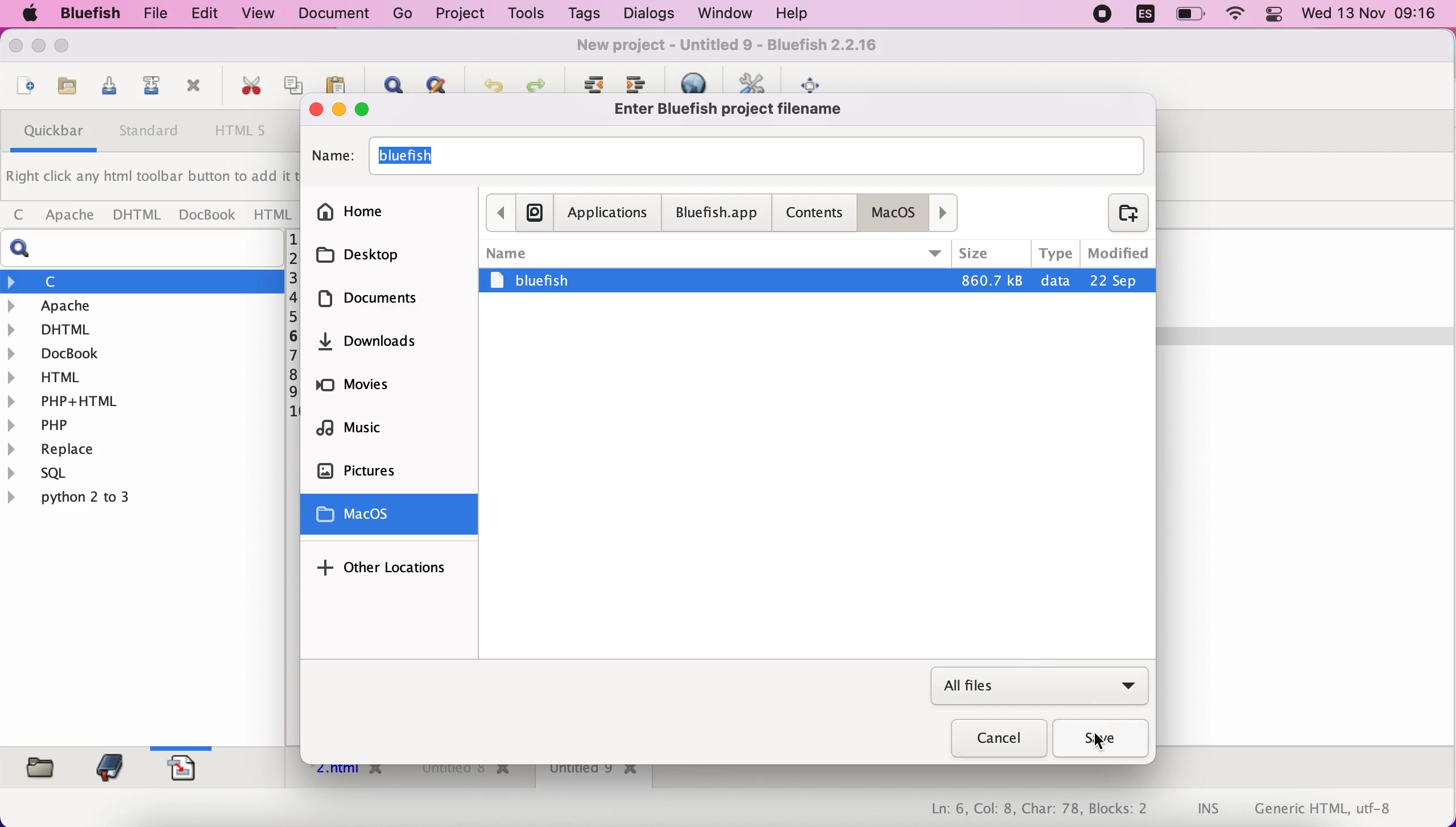 This screenshot has width=1456, height=827. What do you see at coordinates (247, 87) in the screenshot?
I see `cut` at bounding box center [247, 87].